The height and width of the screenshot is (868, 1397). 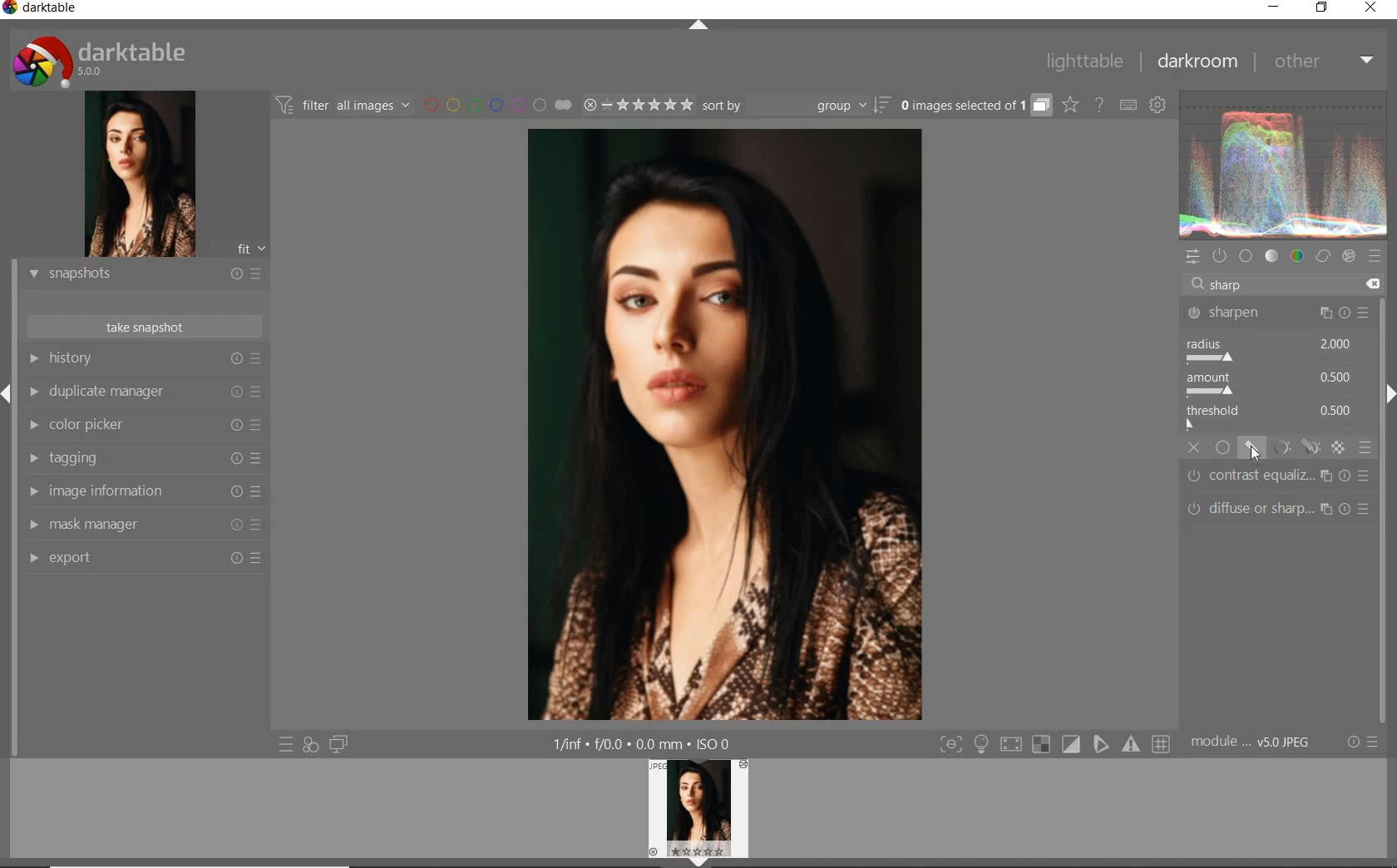 What do you see at coordinates (1275, 350) in the screenshot?
I see `radius` at bounding box center [1275, 350].